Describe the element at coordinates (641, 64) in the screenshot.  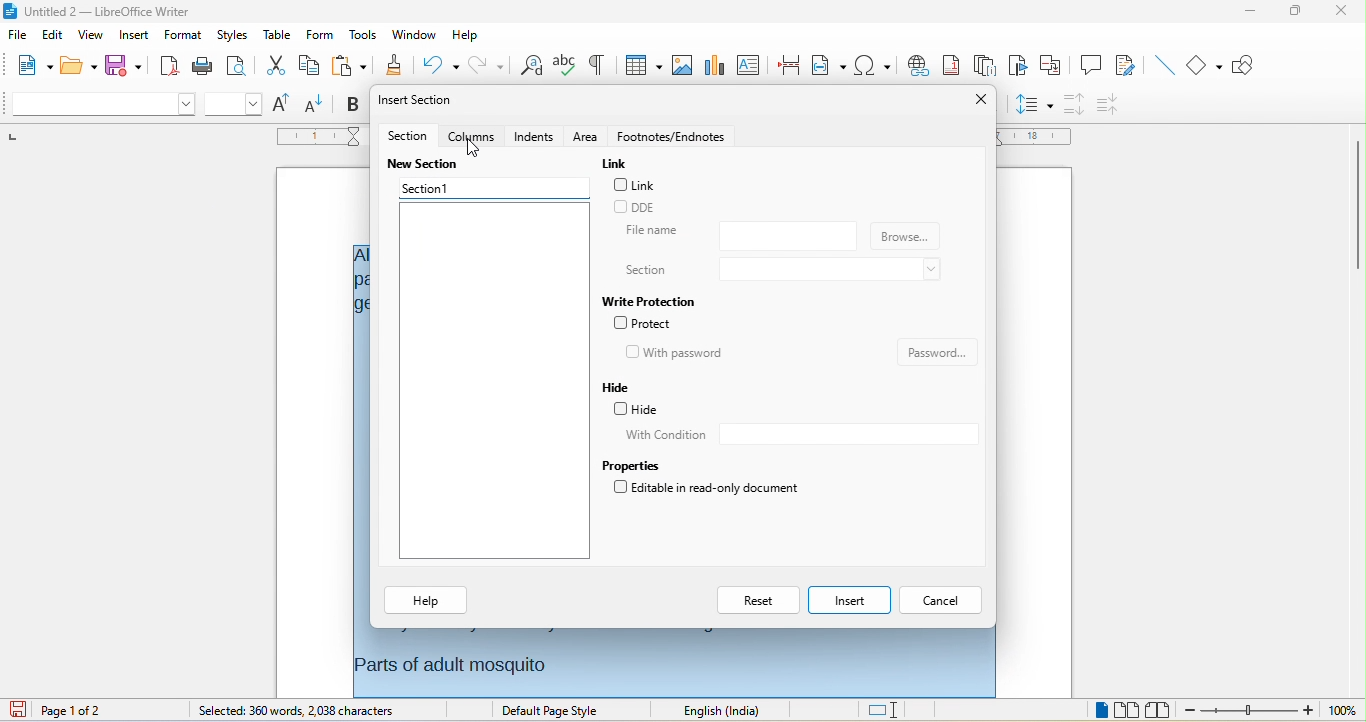
I see `table` at that location.